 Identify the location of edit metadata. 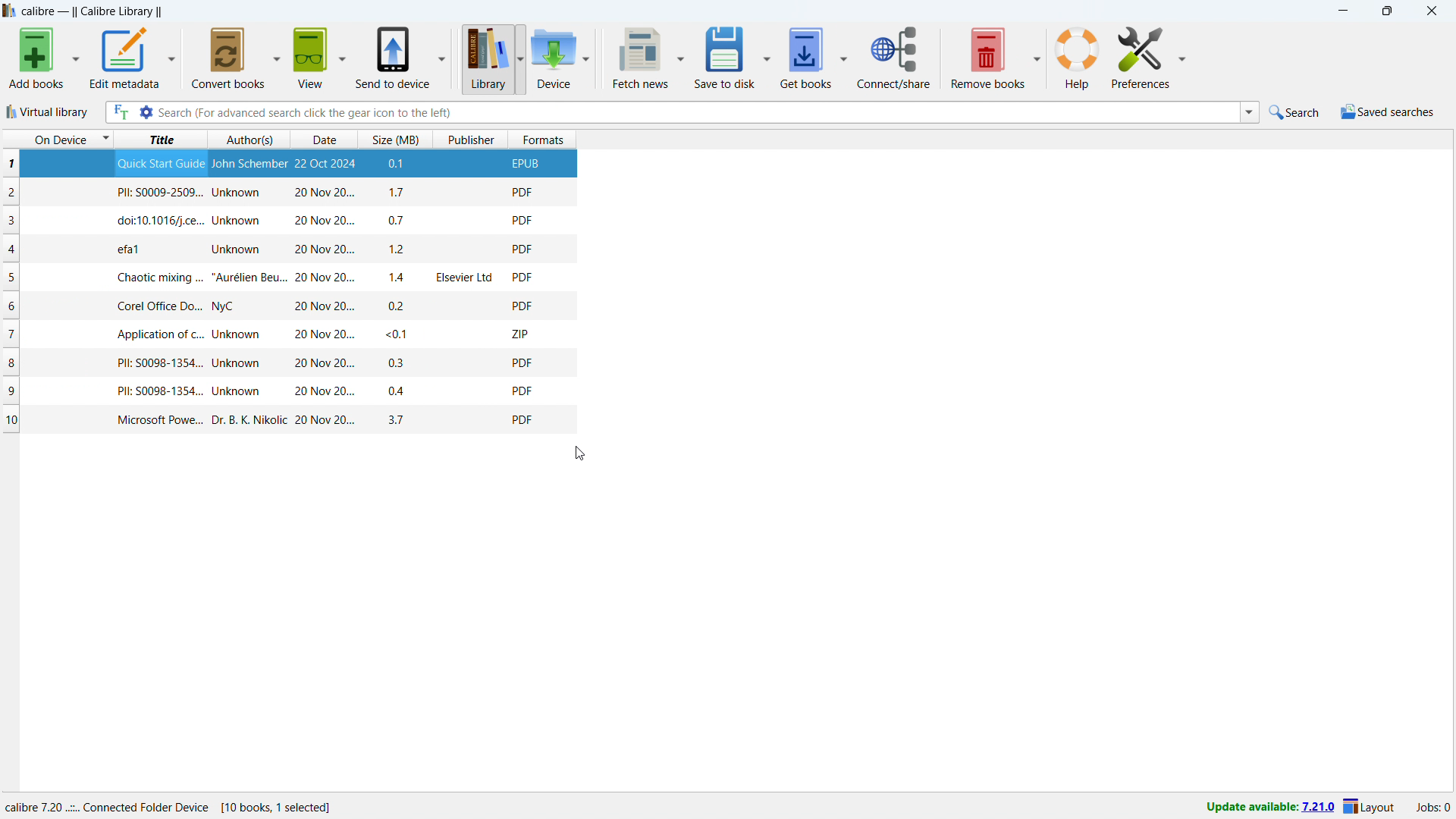
(124, 58).